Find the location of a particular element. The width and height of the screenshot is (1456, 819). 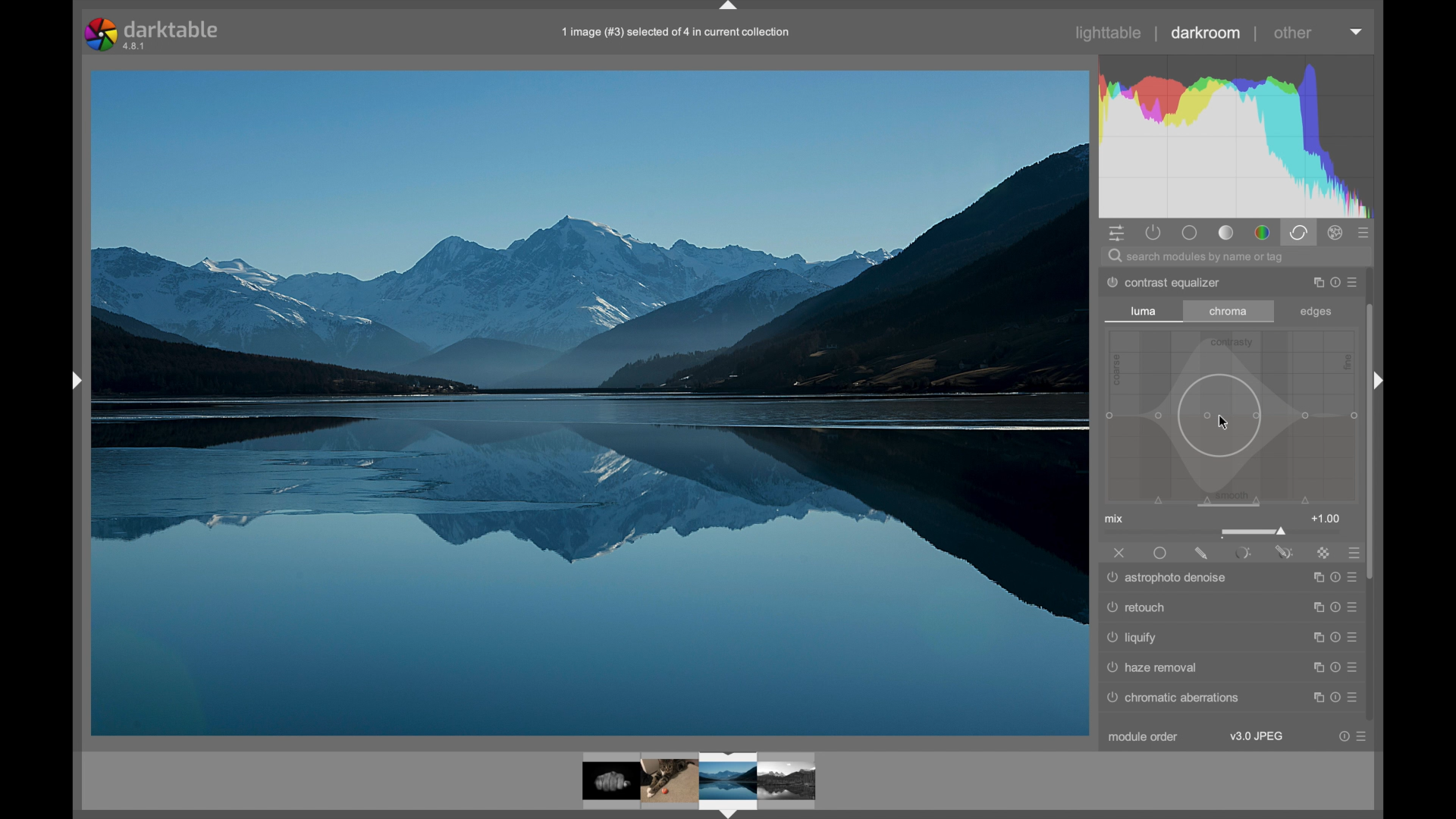

edges is located at coordinates (1316, 312).